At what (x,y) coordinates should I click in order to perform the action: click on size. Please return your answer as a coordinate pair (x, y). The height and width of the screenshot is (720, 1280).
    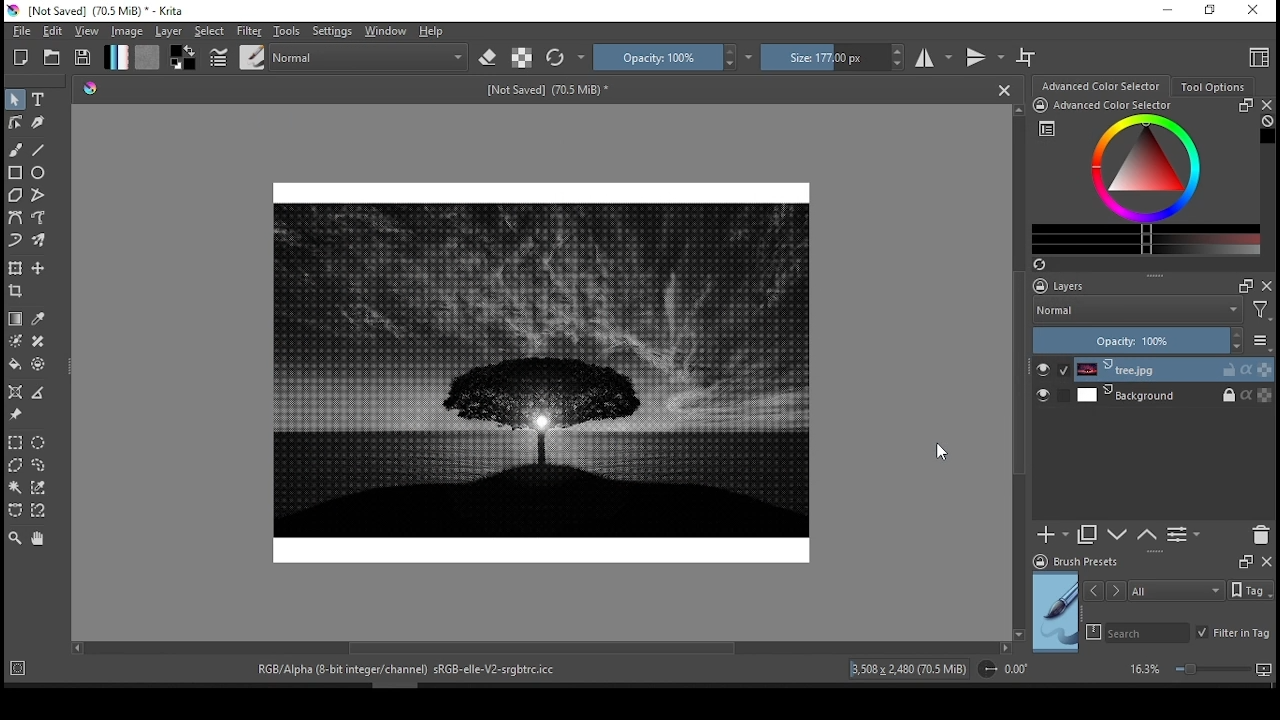
    Looking at the image, I should click on (541, 92).